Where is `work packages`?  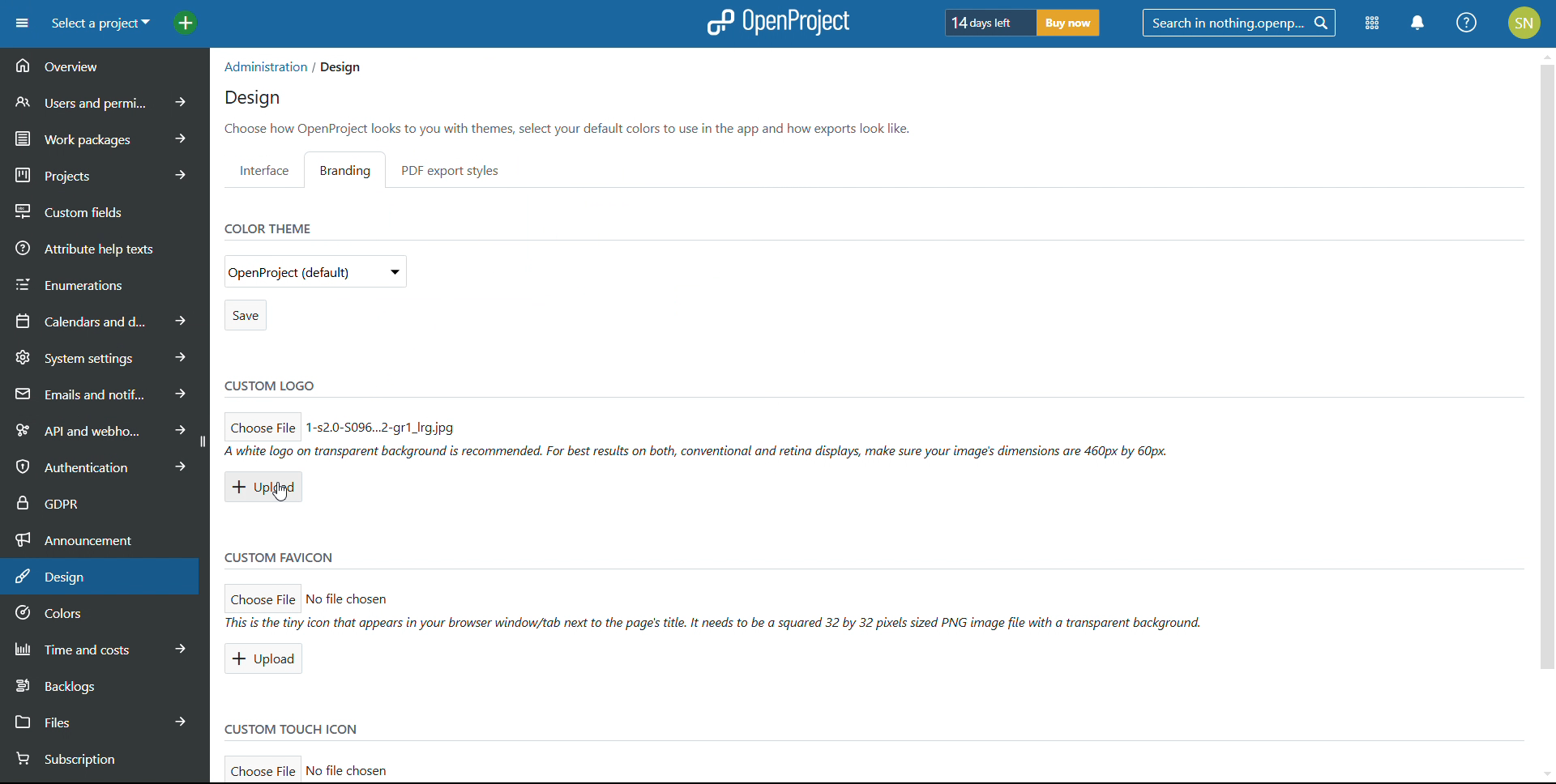 work packages is located at coordinates (105, 136).